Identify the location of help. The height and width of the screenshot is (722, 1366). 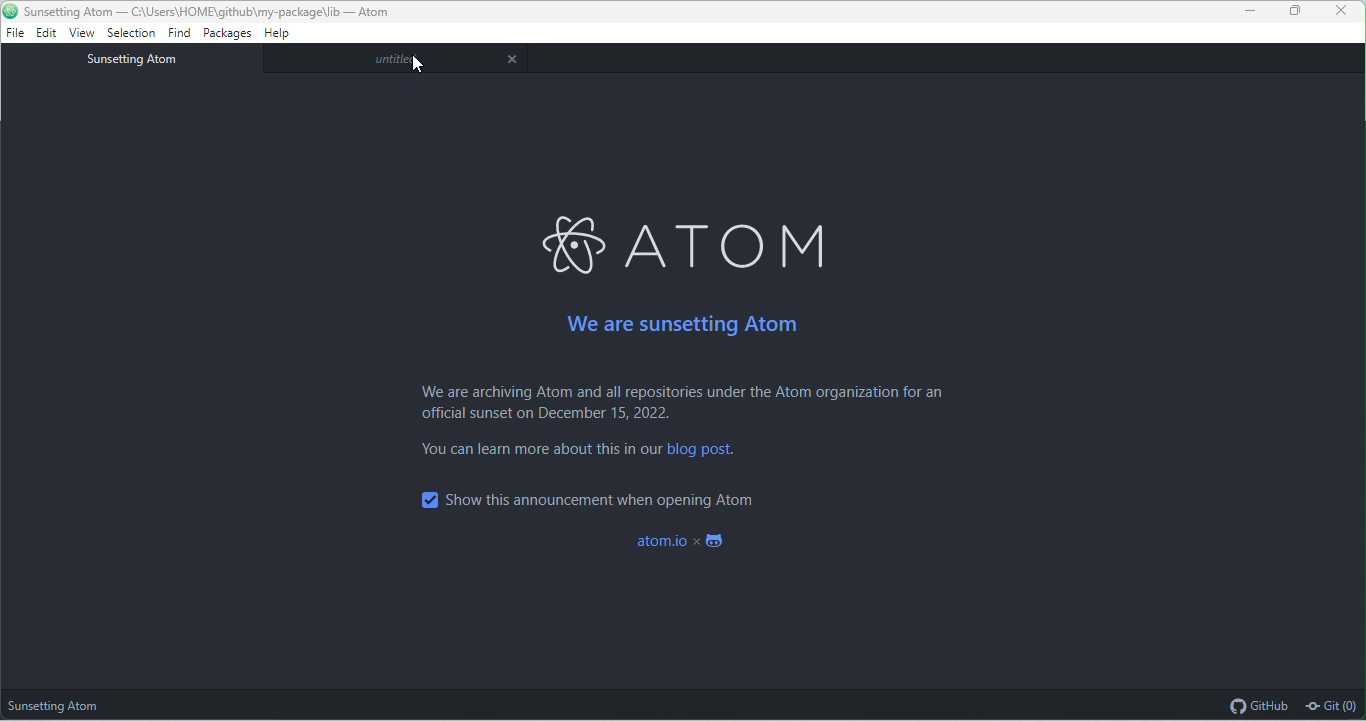
(277, 34).